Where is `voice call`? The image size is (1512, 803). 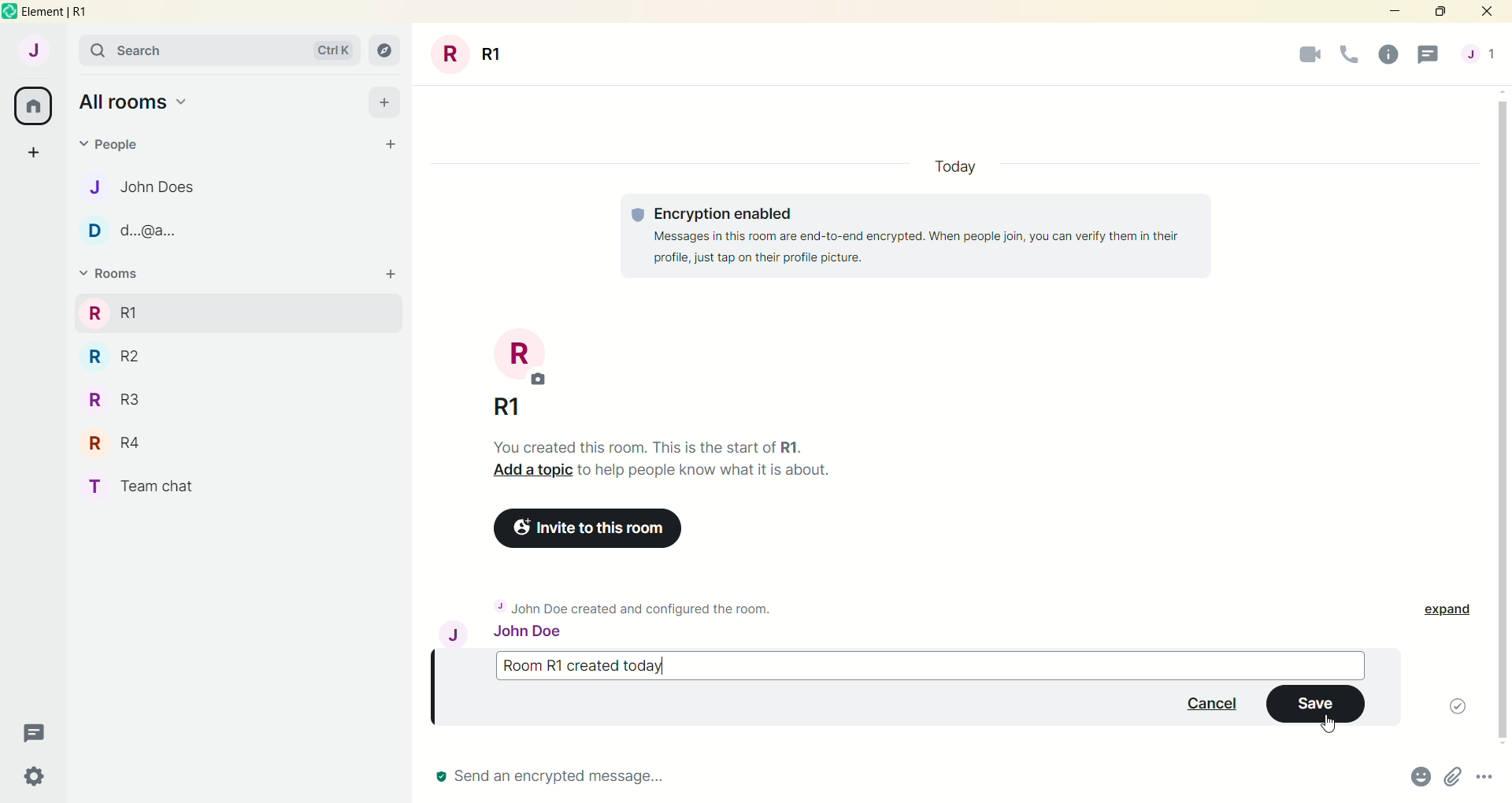 voice call is located at coordinates (1350, 55).